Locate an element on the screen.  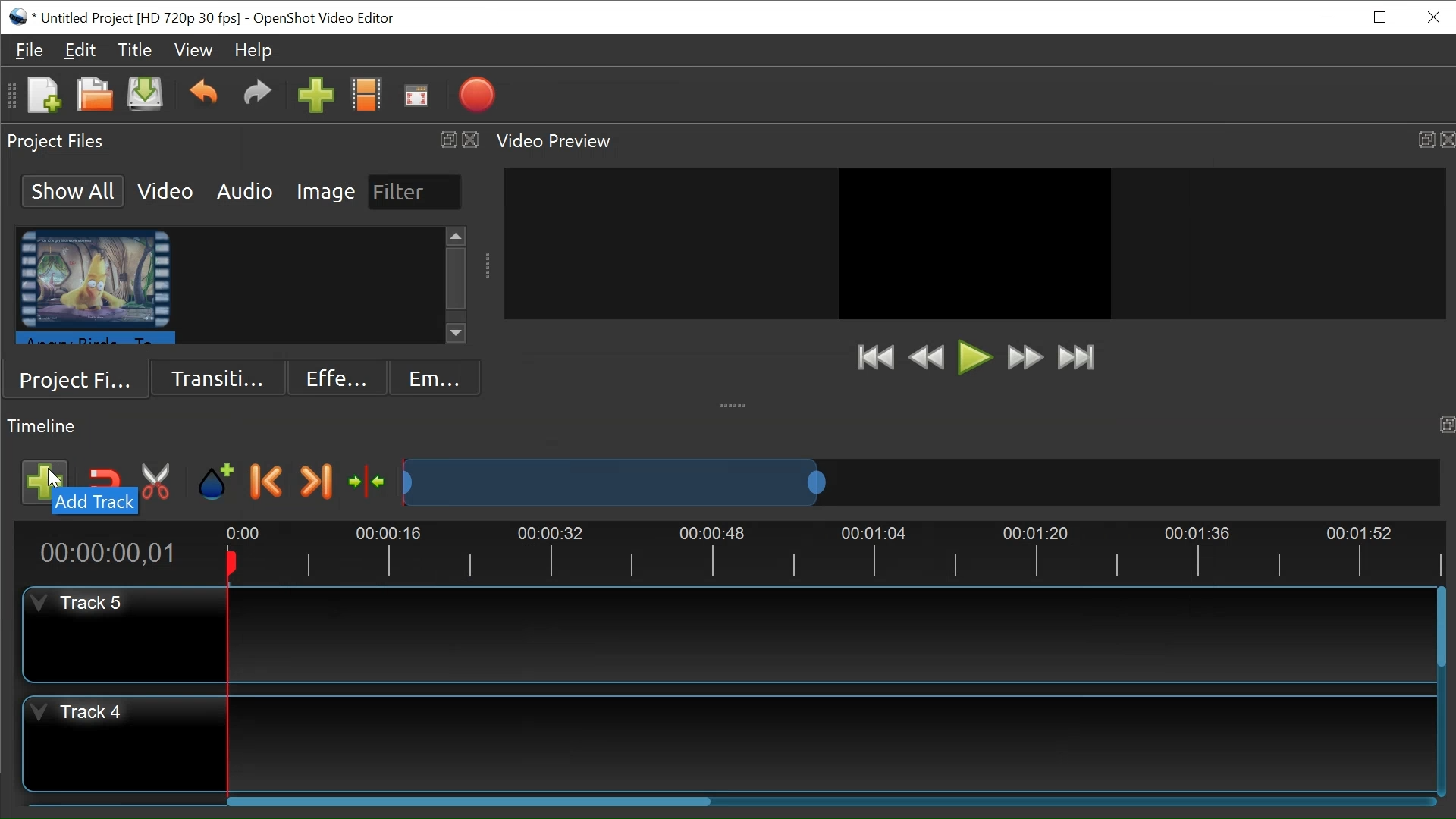
Scroll down is located at coordinates (457, 334).